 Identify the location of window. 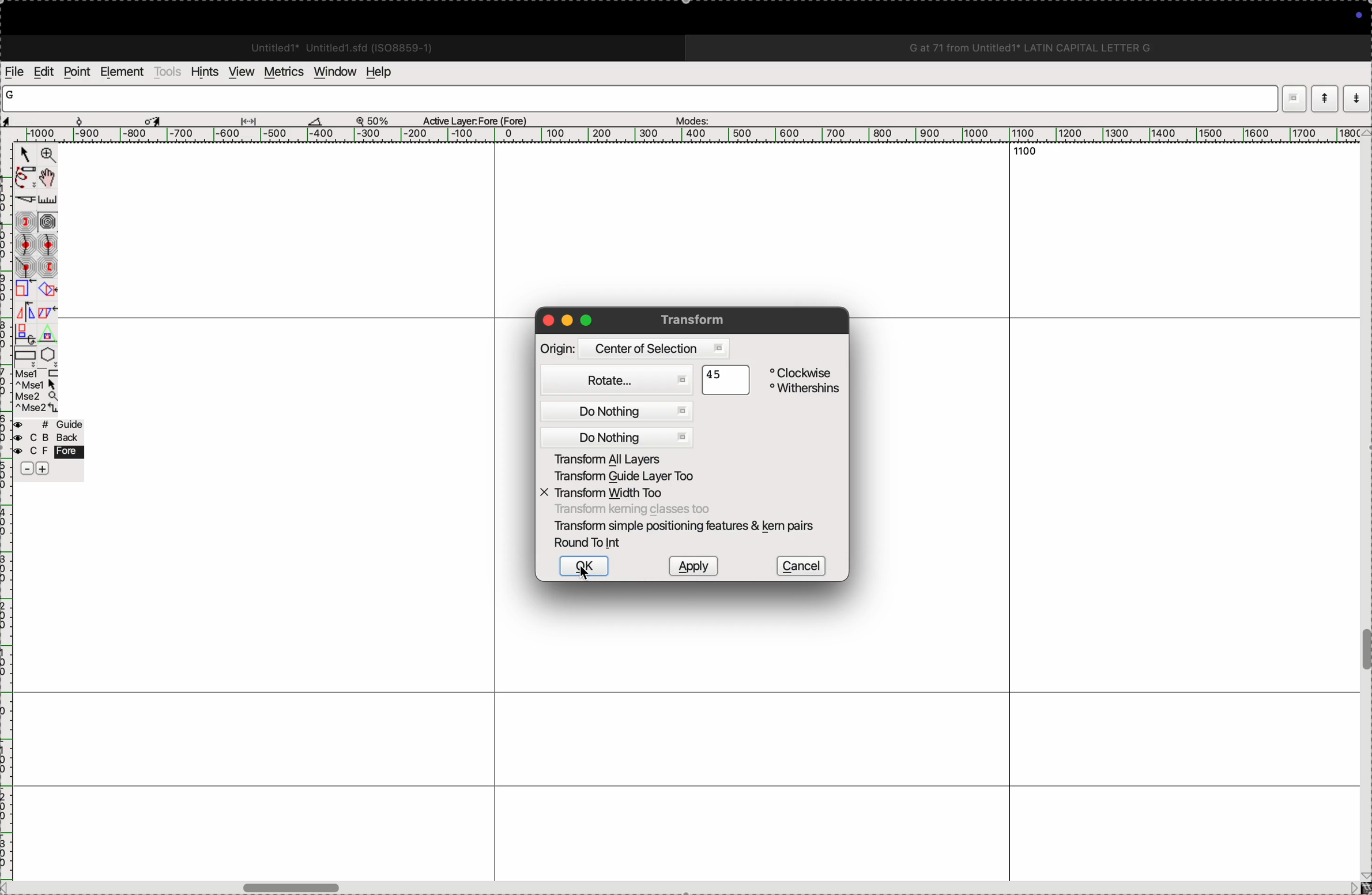
(336, 73).